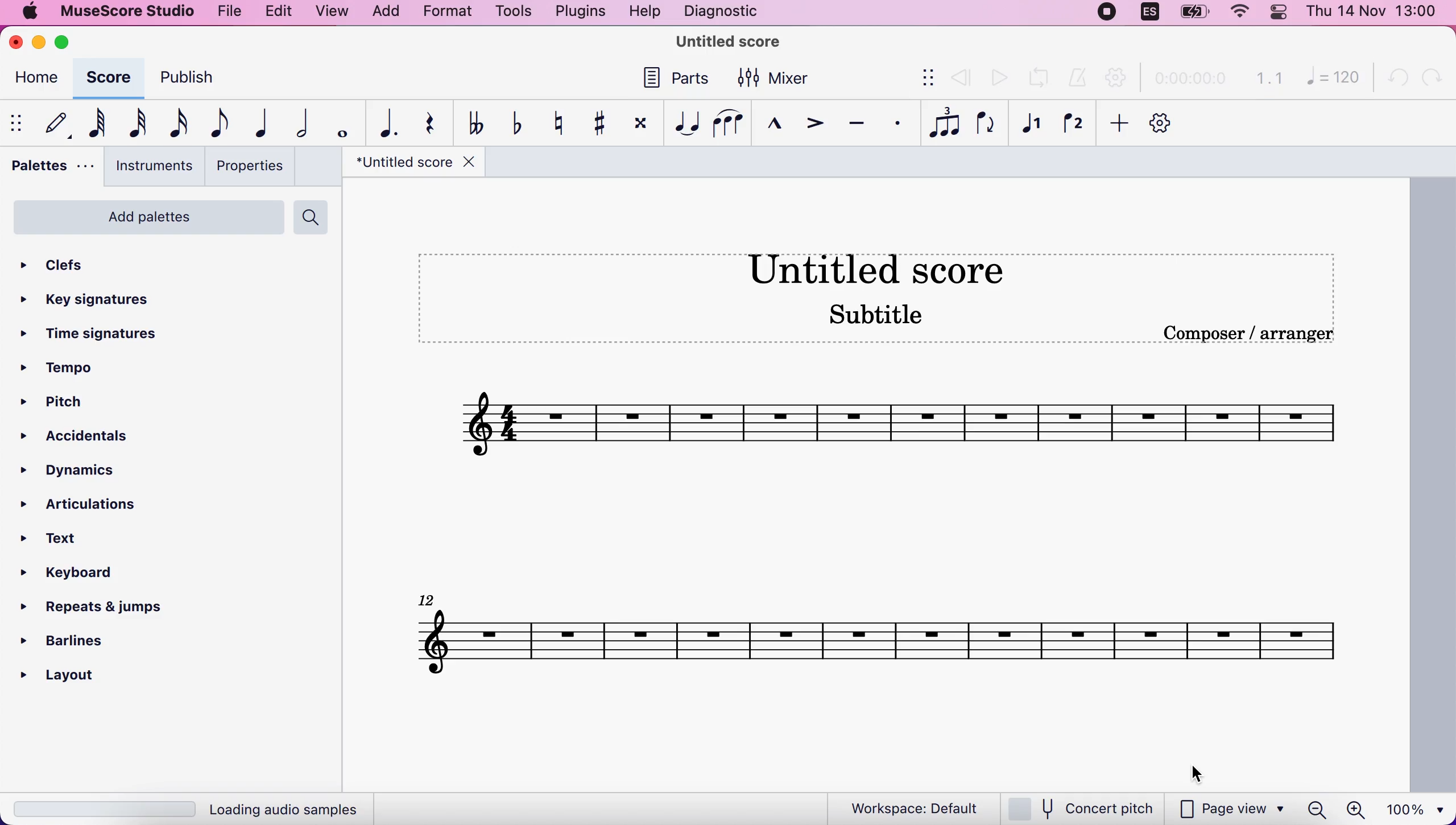  What do you see at coordinates (112, 81) in the screenshot?
I see `score` at bounding box center [112, 81].